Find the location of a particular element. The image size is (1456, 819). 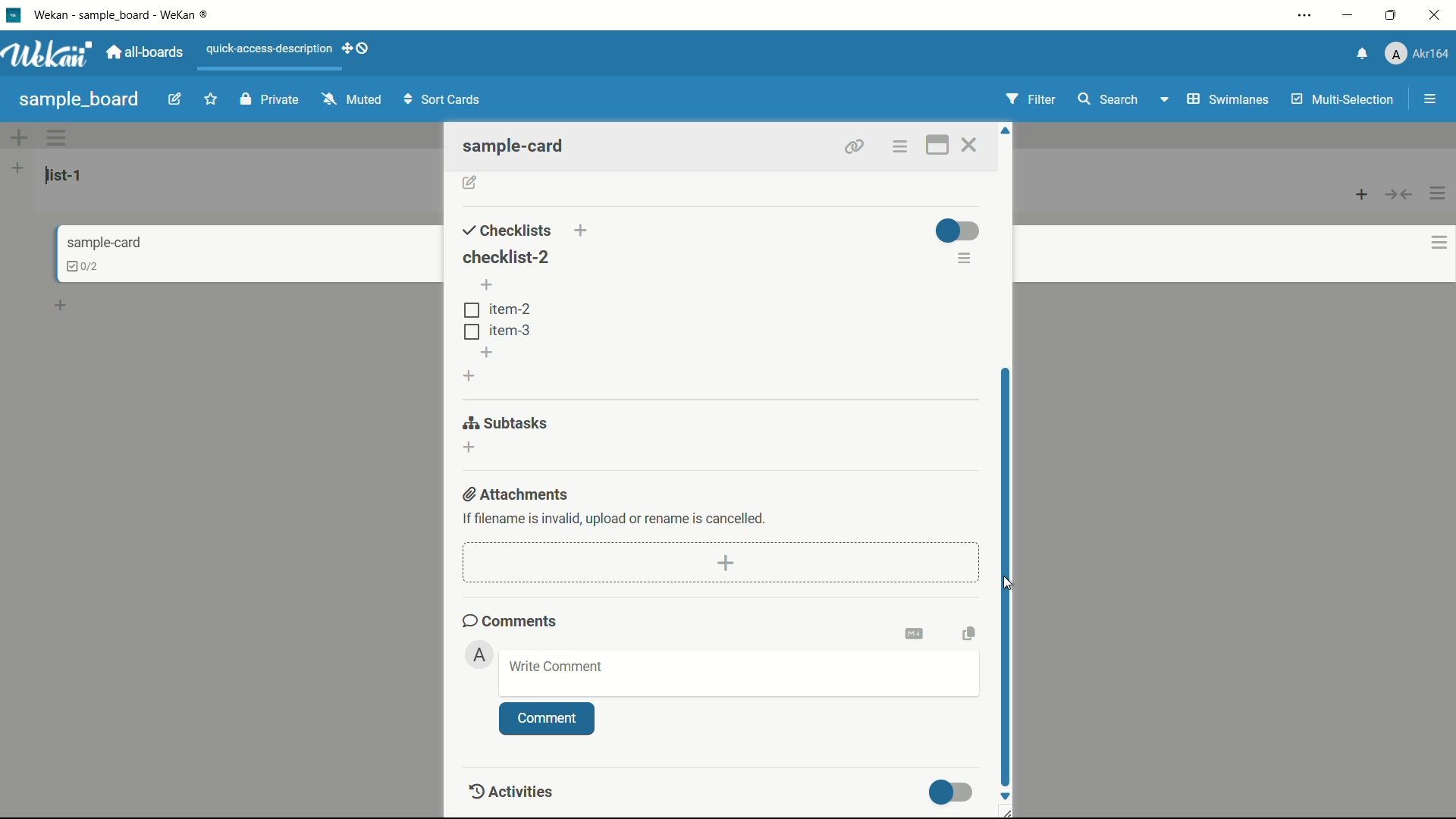

scroll bar is located at coordinates (1004, 578).